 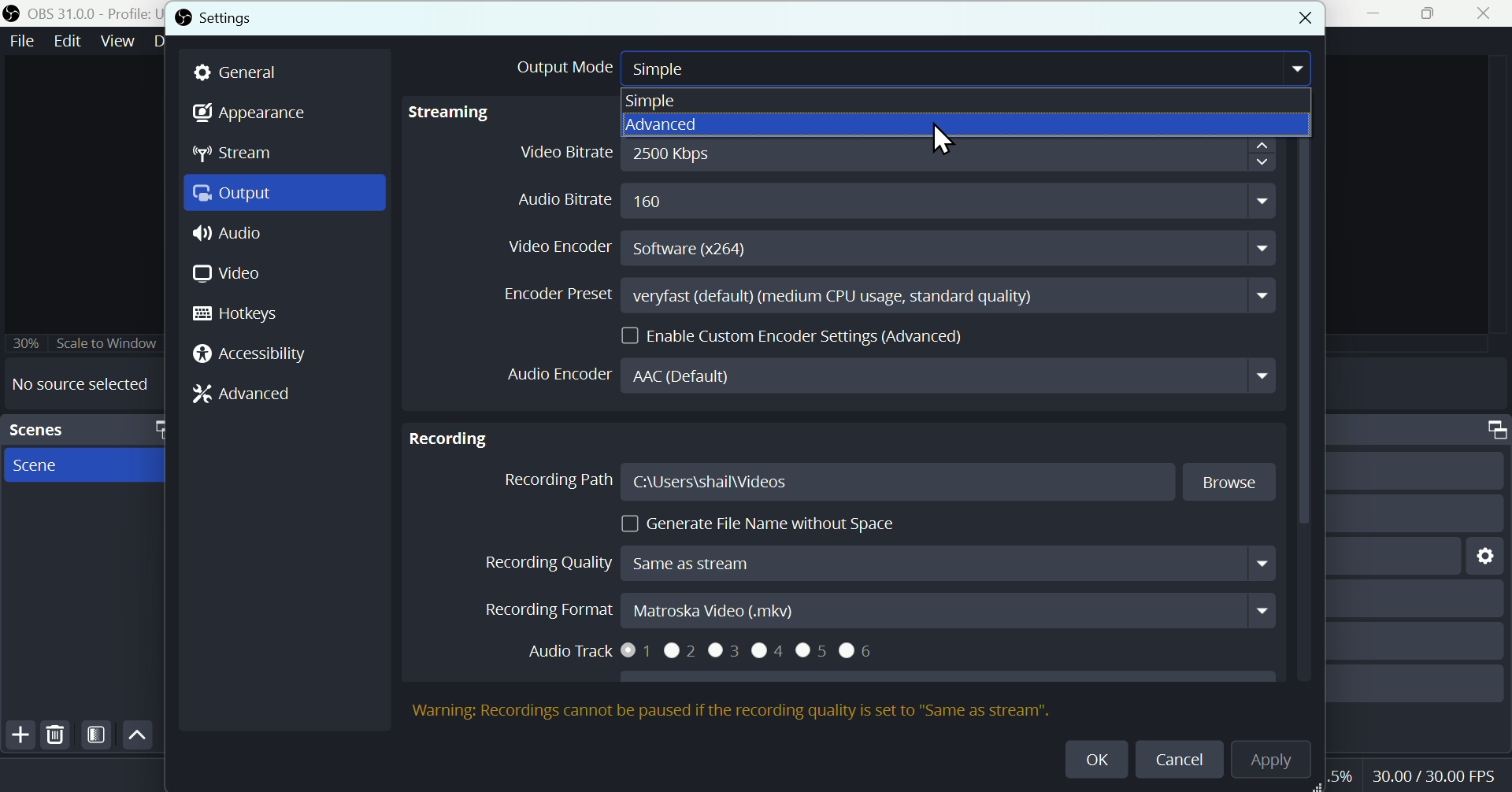 I want to click on Hot keys, so click(x=246, y=314).